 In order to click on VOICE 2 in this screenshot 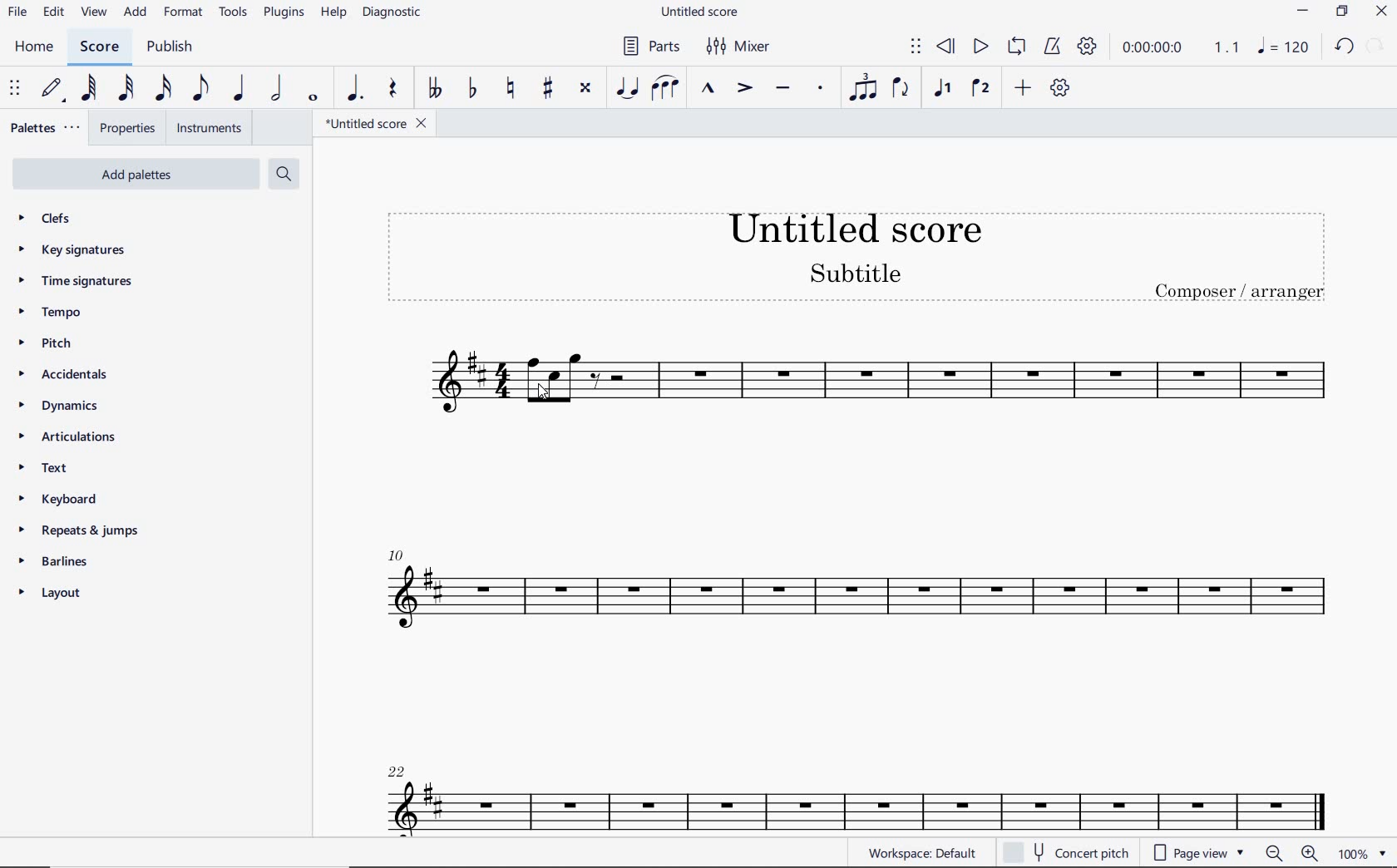, I will do `click(982, 89)`.